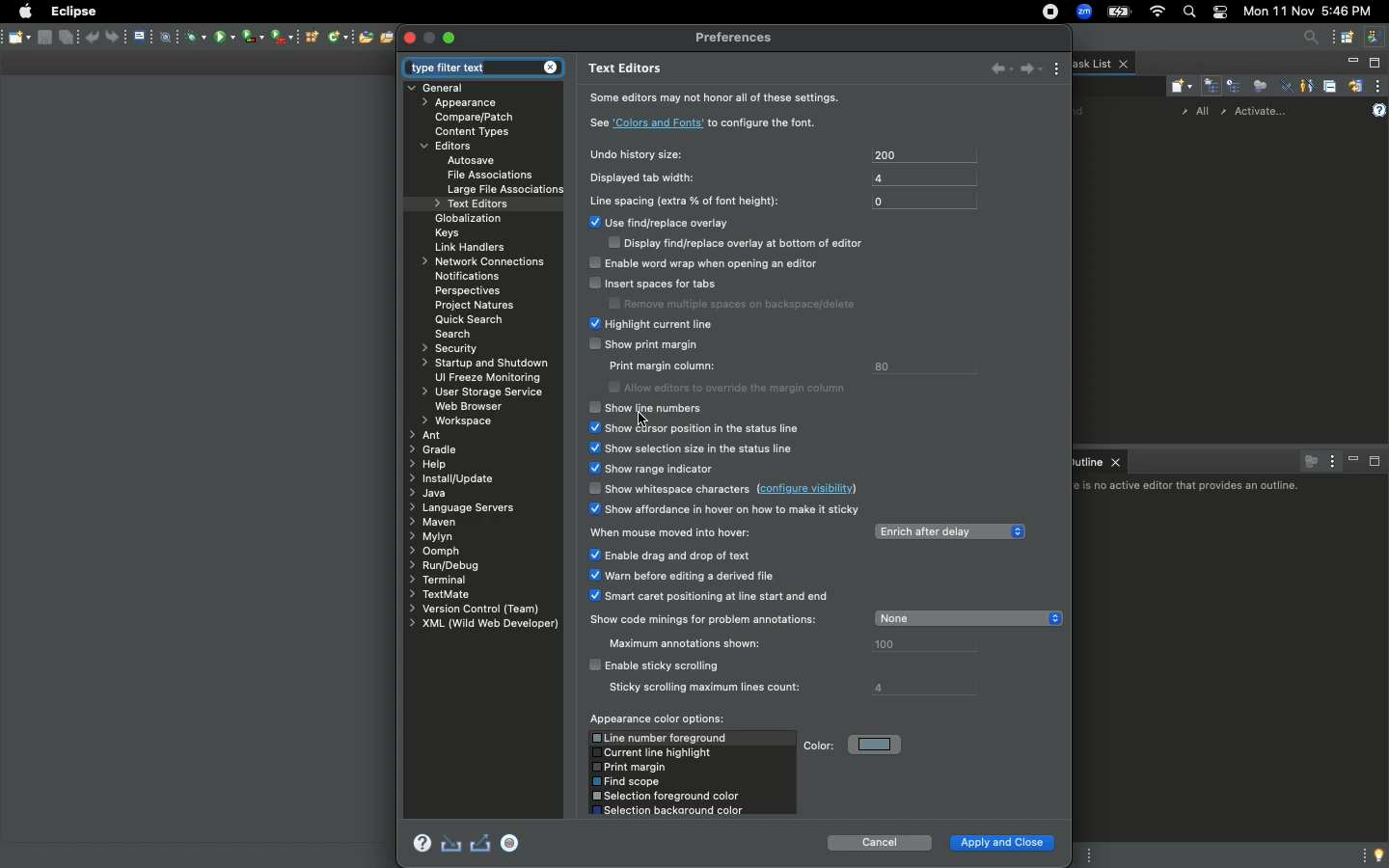 The width and height of the screenshot is (1389, 868). Describe the element at coordinates (449, 593) in the screenshot. I see `Text mate` at that location.